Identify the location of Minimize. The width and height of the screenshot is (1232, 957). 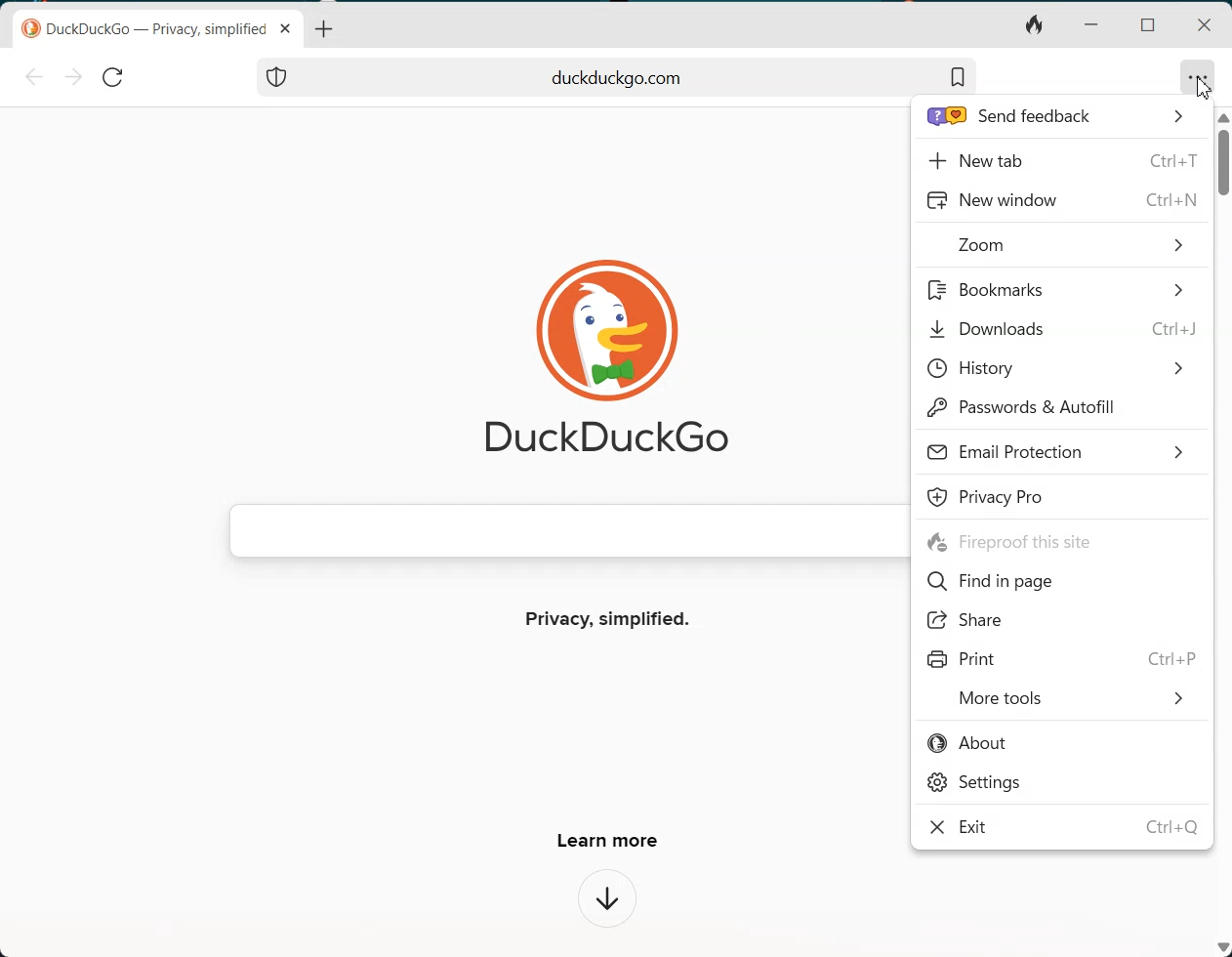
(1089, 25).